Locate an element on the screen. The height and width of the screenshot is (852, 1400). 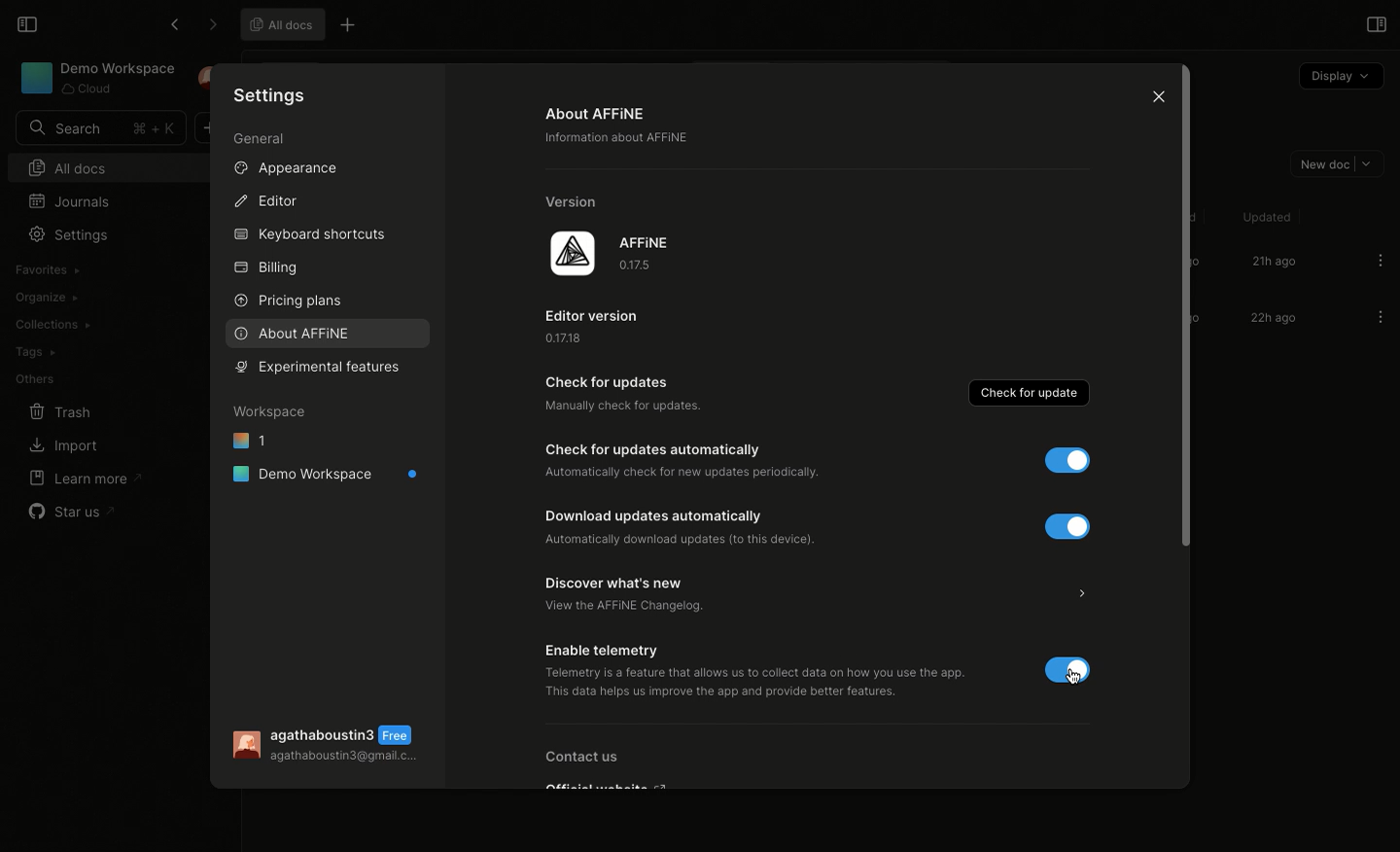
Journals is located at coordinates (74, 200).